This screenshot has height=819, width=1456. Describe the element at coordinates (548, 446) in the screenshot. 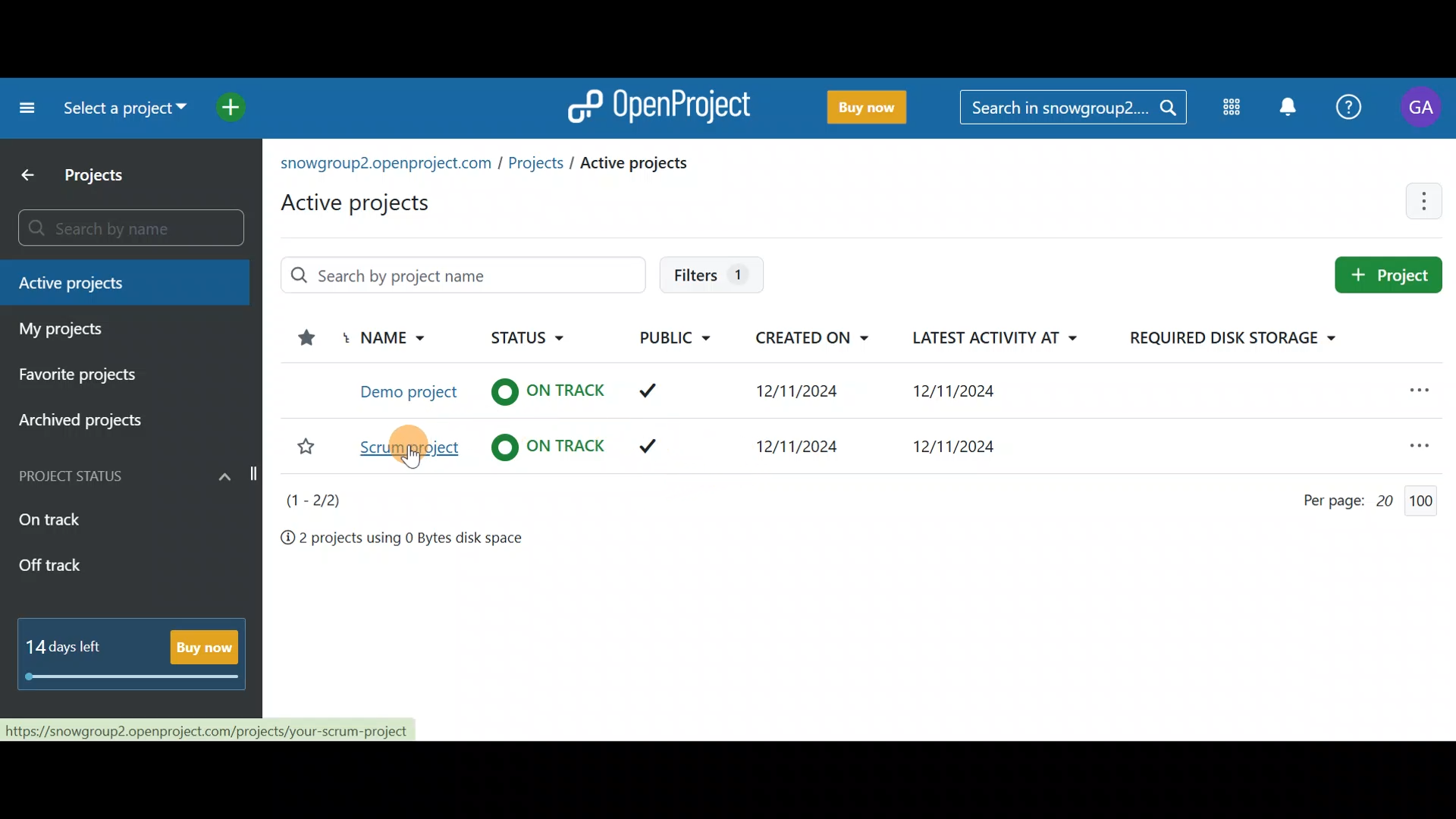

I see `on track` at that location.